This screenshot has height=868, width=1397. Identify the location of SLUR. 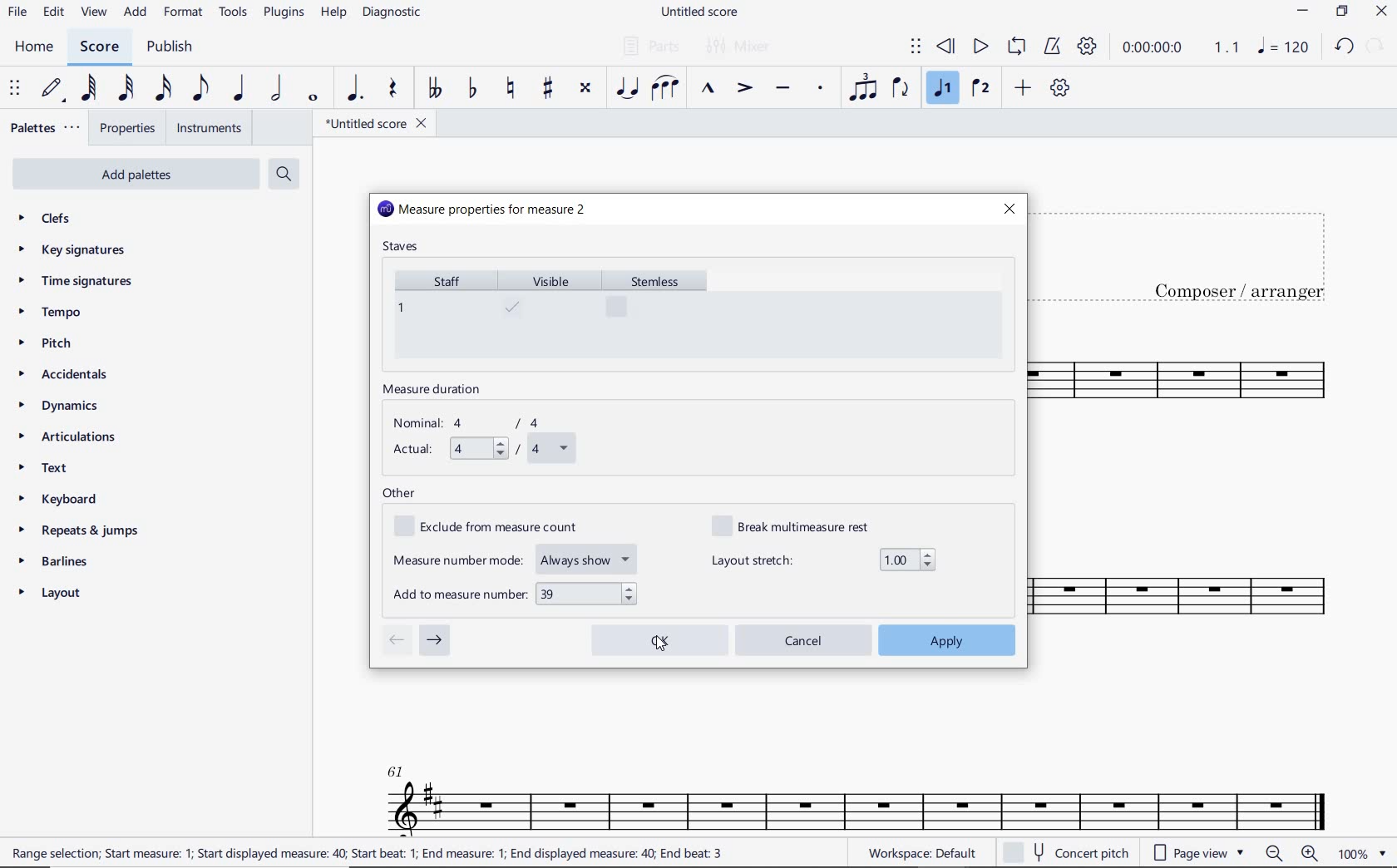
(665, 90).